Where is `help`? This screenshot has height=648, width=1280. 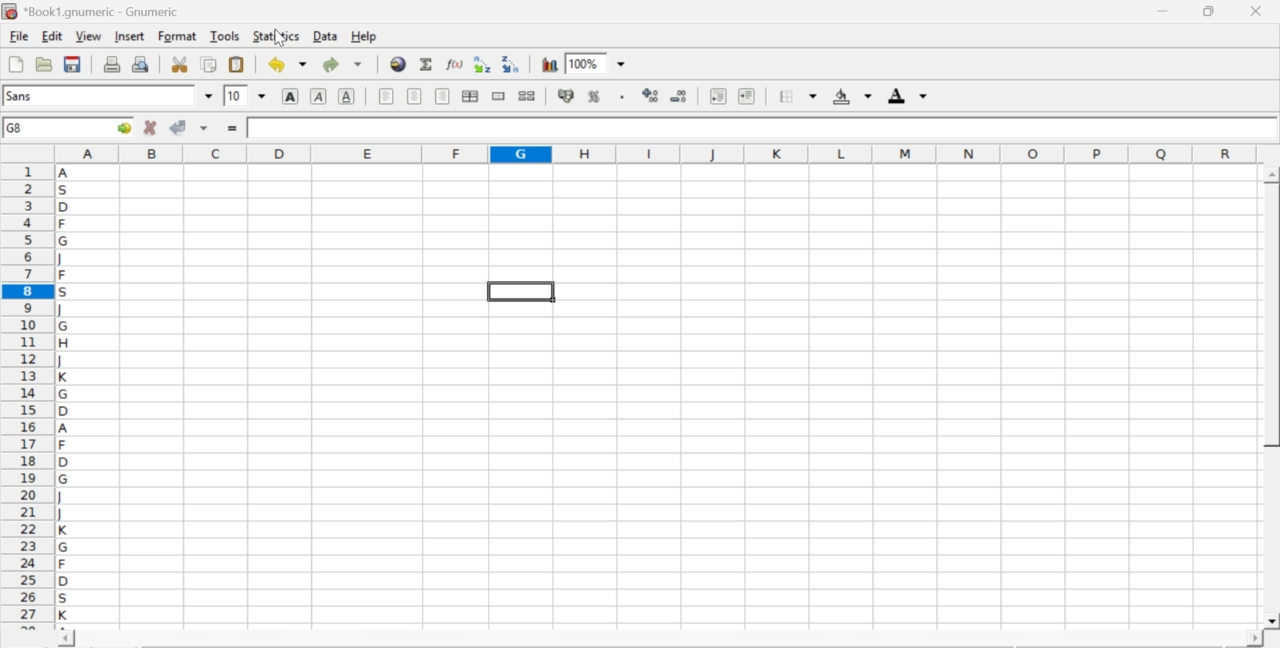 help is located at coordinates (366, 37).